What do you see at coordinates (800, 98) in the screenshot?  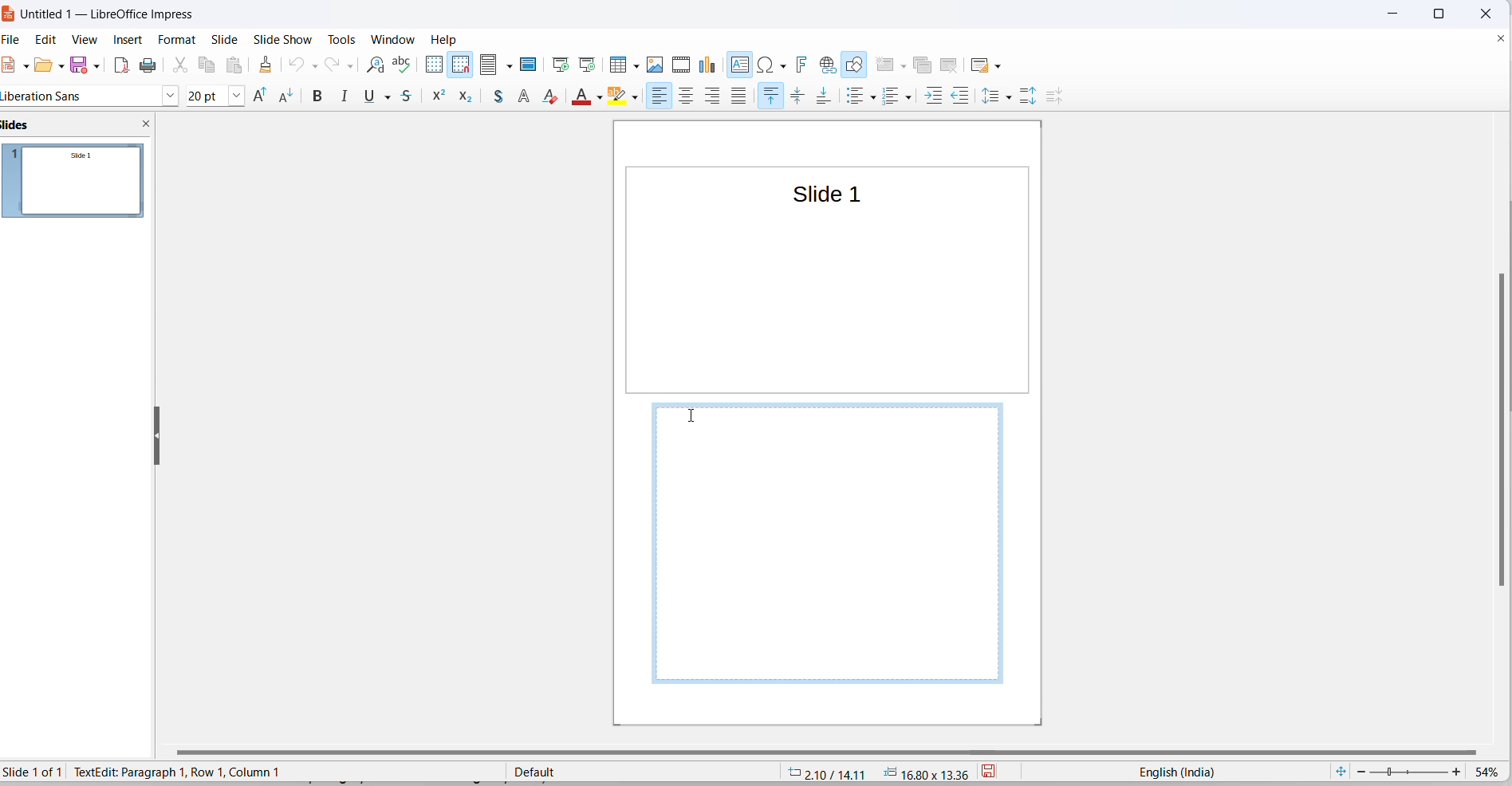 I see `filters options` at bounding box center [800, 98].